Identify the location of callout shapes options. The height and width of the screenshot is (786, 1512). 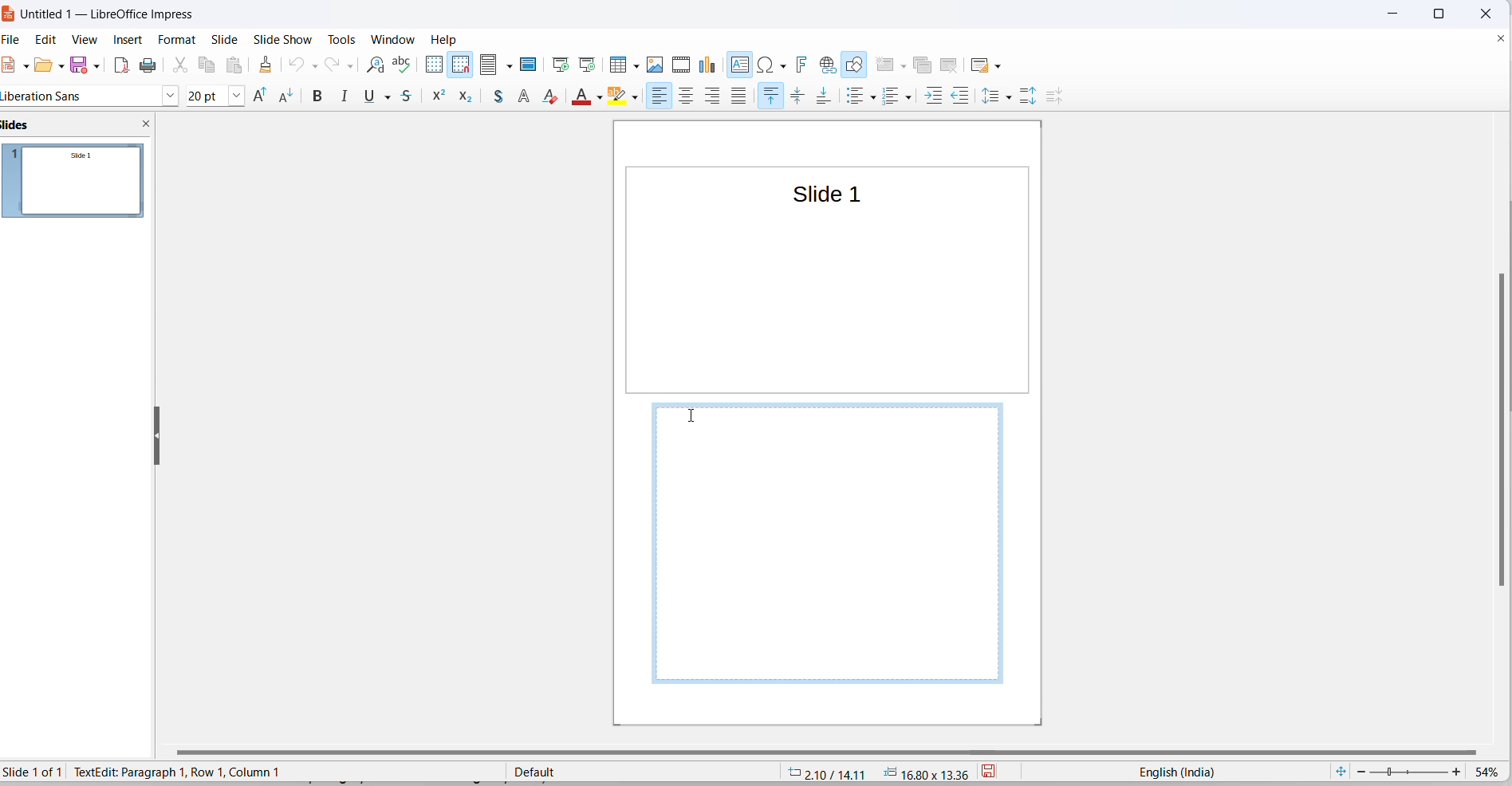
(498, 99).